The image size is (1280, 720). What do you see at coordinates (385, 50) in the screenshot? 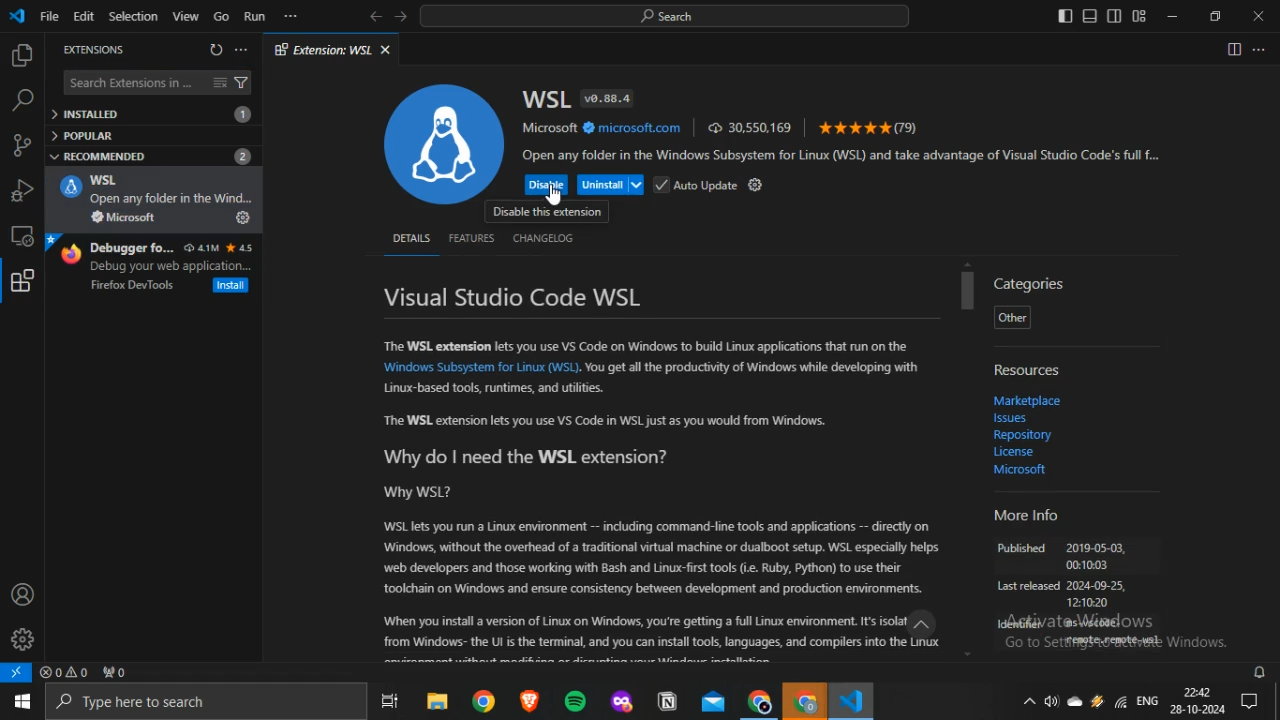
I see `close` at bounding box center [385, 50].